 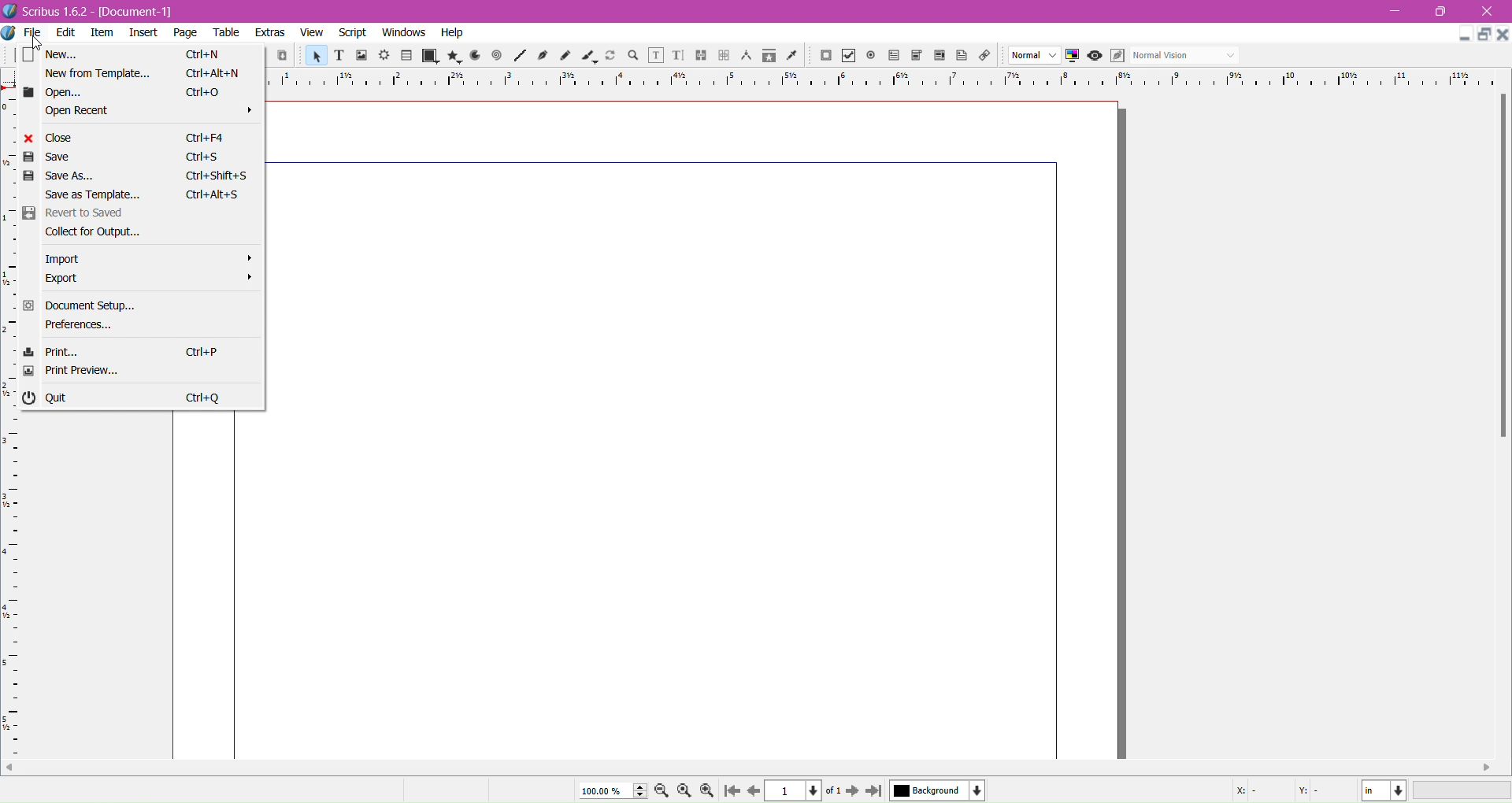 What do you see at coordinates (724, 56) in the screenshot?
I see `Unlink Text Frame` at bounding box center [724, 56].